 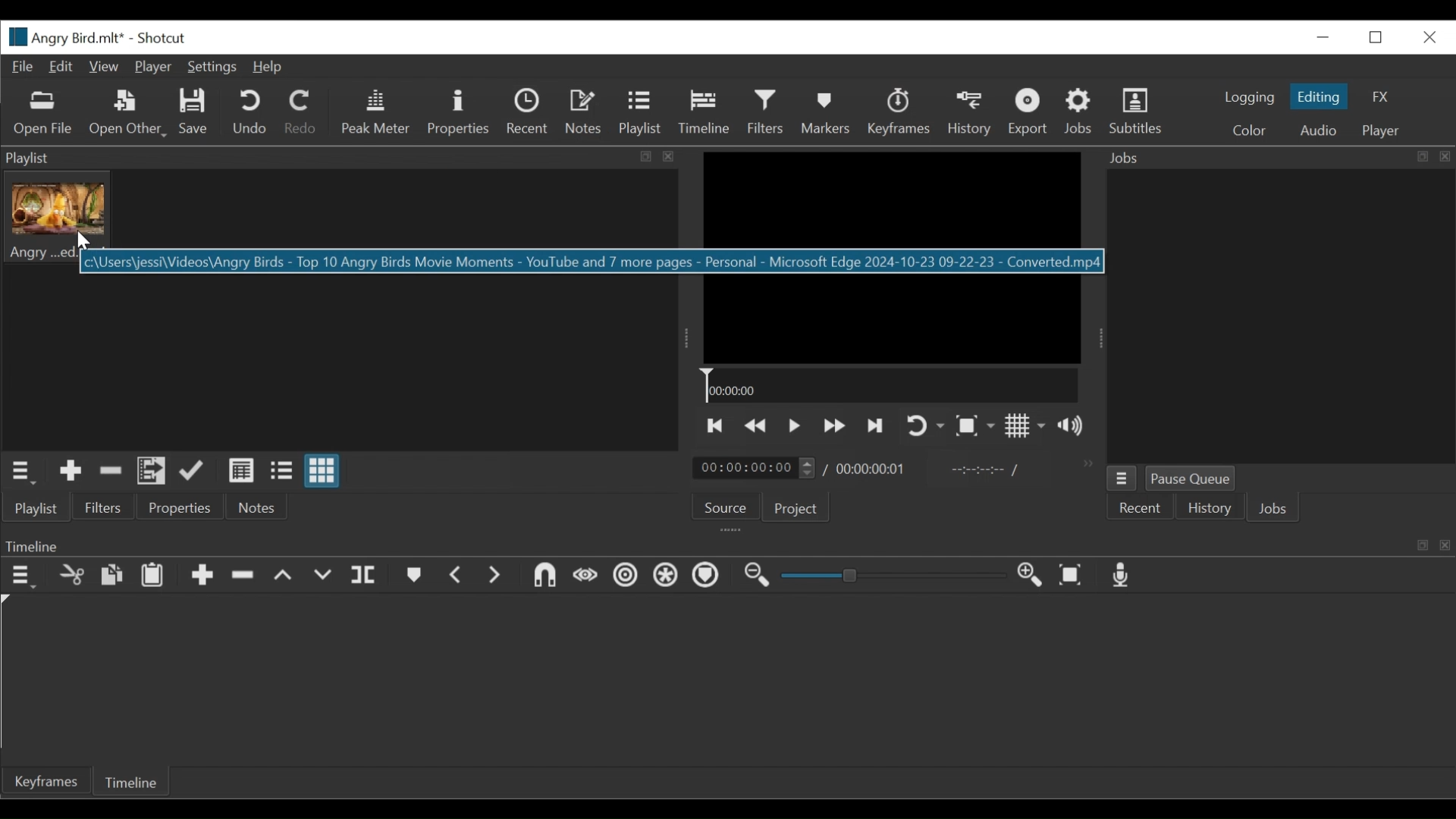 I want to click on Zoom timeline to fit, so click(x=1073, y=577).